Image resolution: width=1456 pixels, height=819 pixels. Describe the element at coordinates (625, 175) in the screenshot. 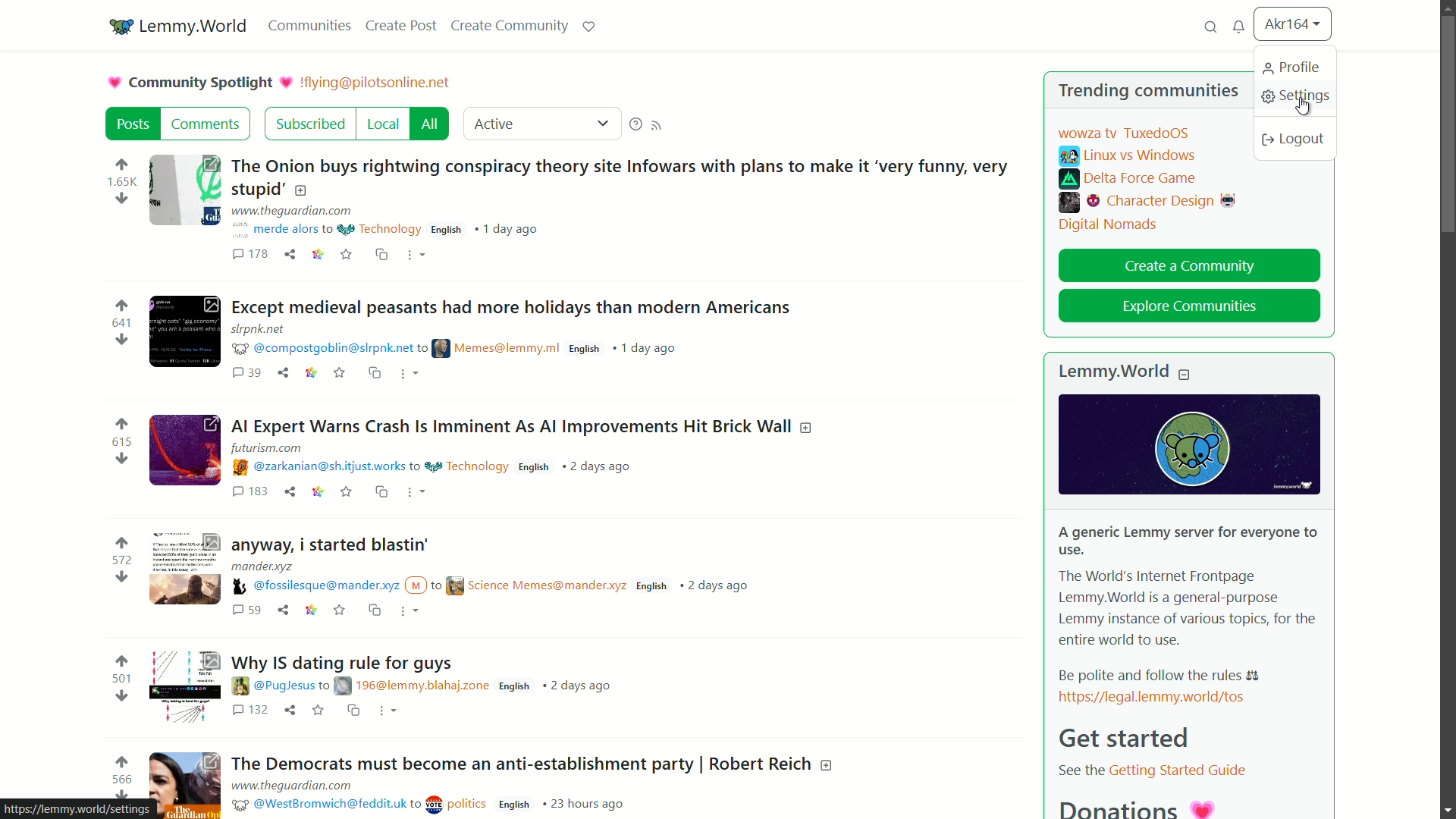

I see `post-1` at that location.